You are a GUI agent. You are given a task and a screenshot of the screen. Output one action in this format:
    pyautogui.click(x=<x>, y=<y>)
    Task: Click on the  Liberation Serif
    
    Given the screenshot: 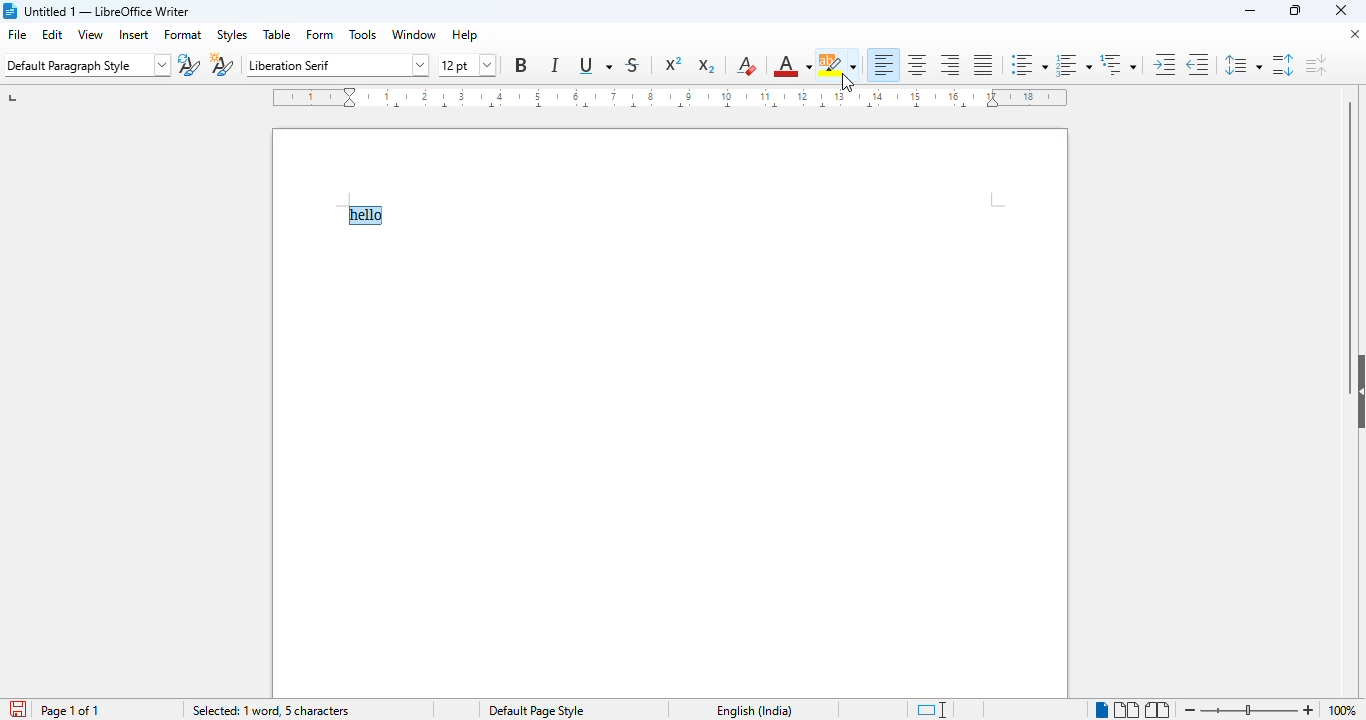 What is the action you would take?
    pyautogui.click(x=325, y=66)
    